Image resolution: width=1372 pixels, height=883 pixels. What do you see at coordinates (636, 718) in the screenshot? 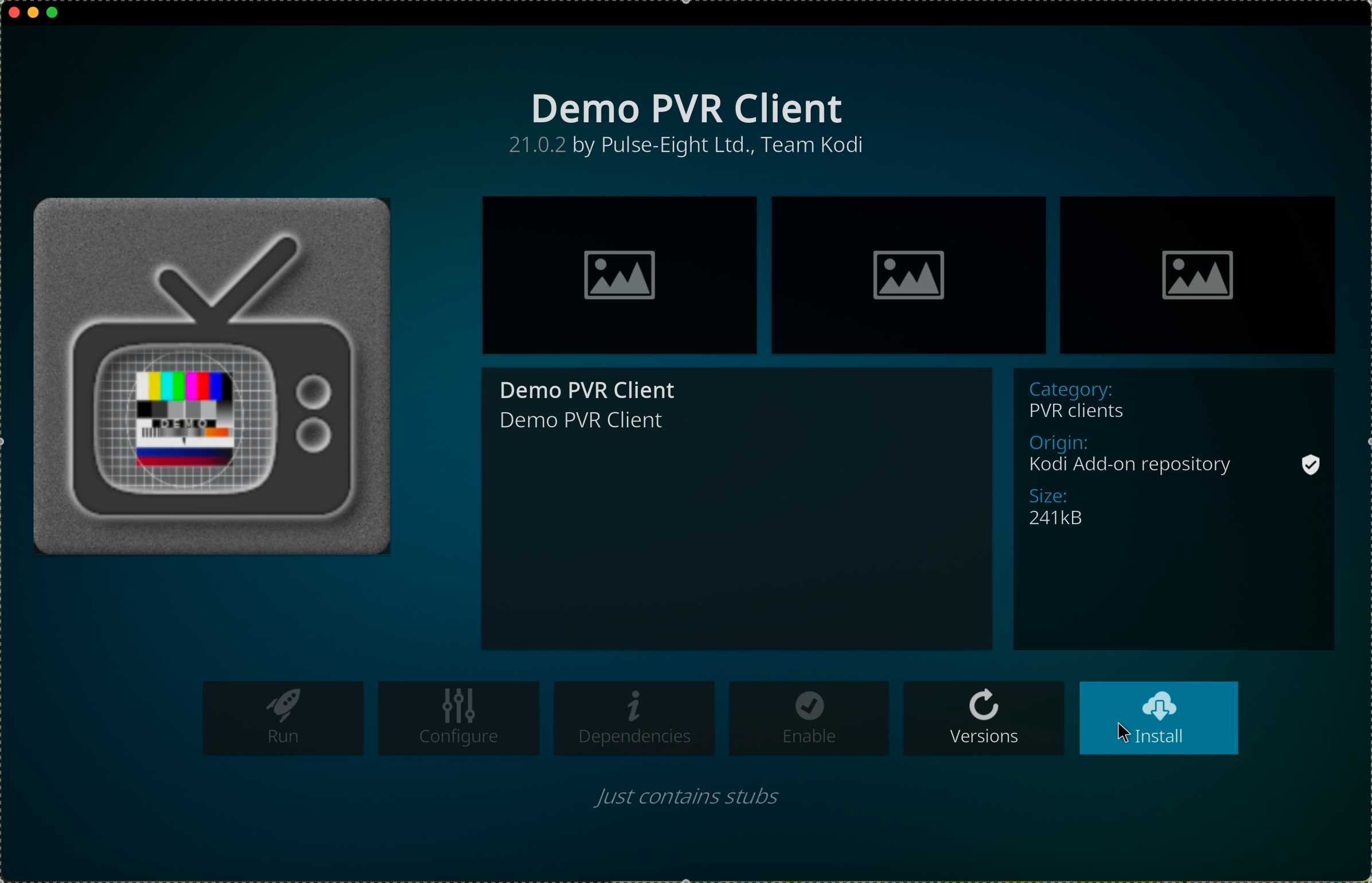
I see `dependencies` at bounding box center [636, 718].